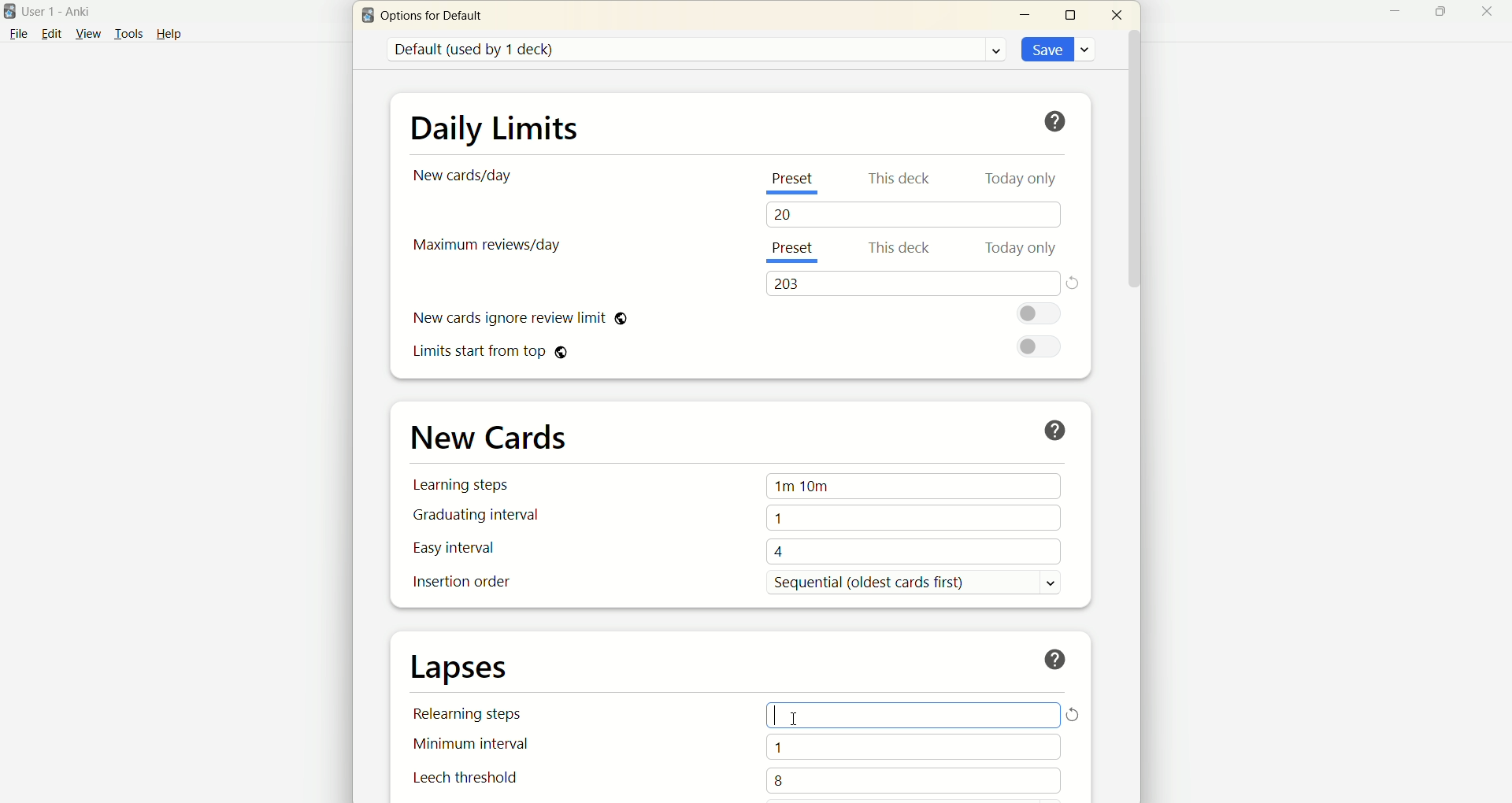 The height and width of the screenshot is (803, 1512). I want to click on leech threshold, so click(466, 779).